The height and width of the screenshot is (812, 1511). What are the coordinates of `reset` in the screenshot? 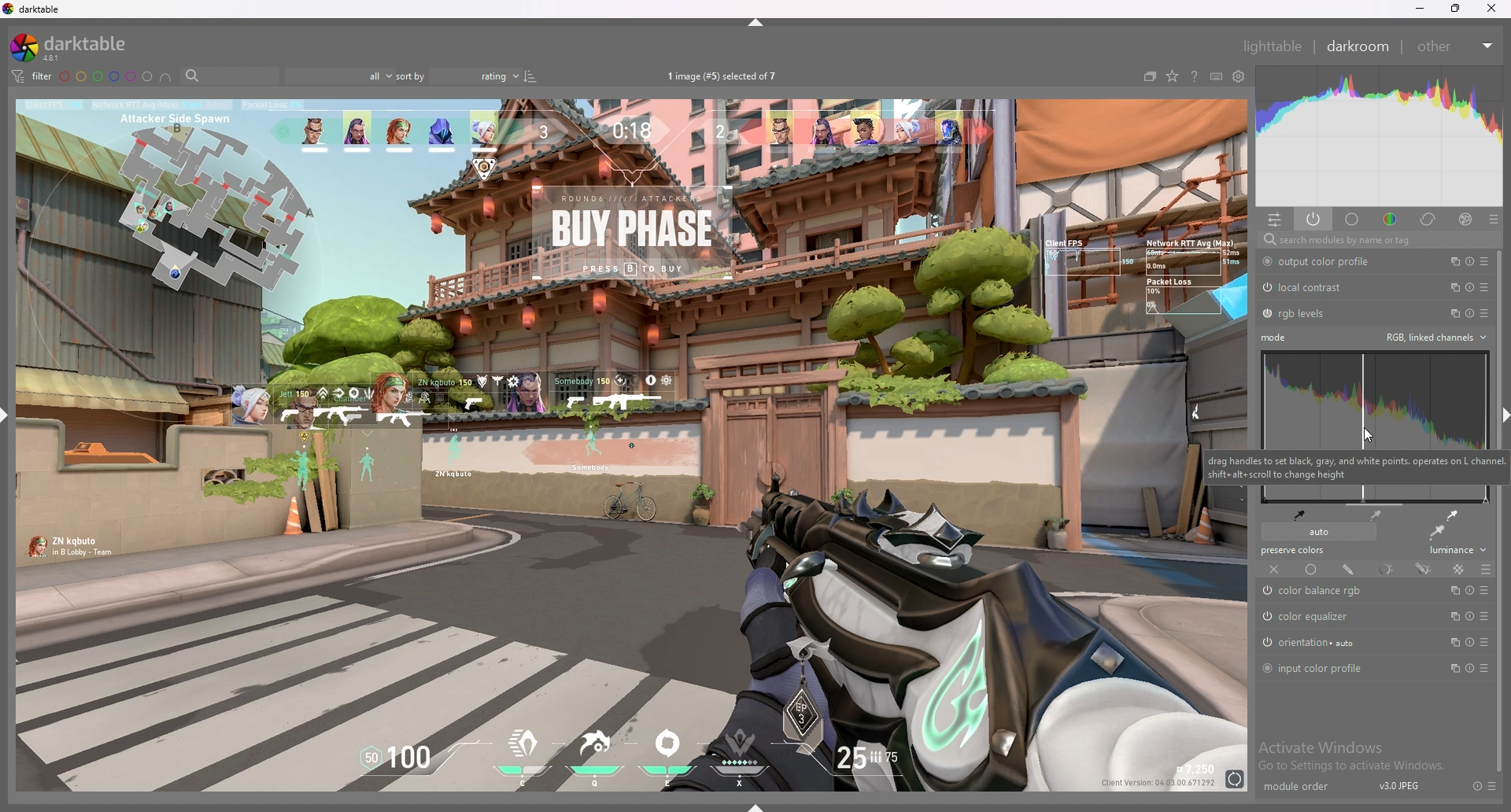 It's located at (1471, 313).